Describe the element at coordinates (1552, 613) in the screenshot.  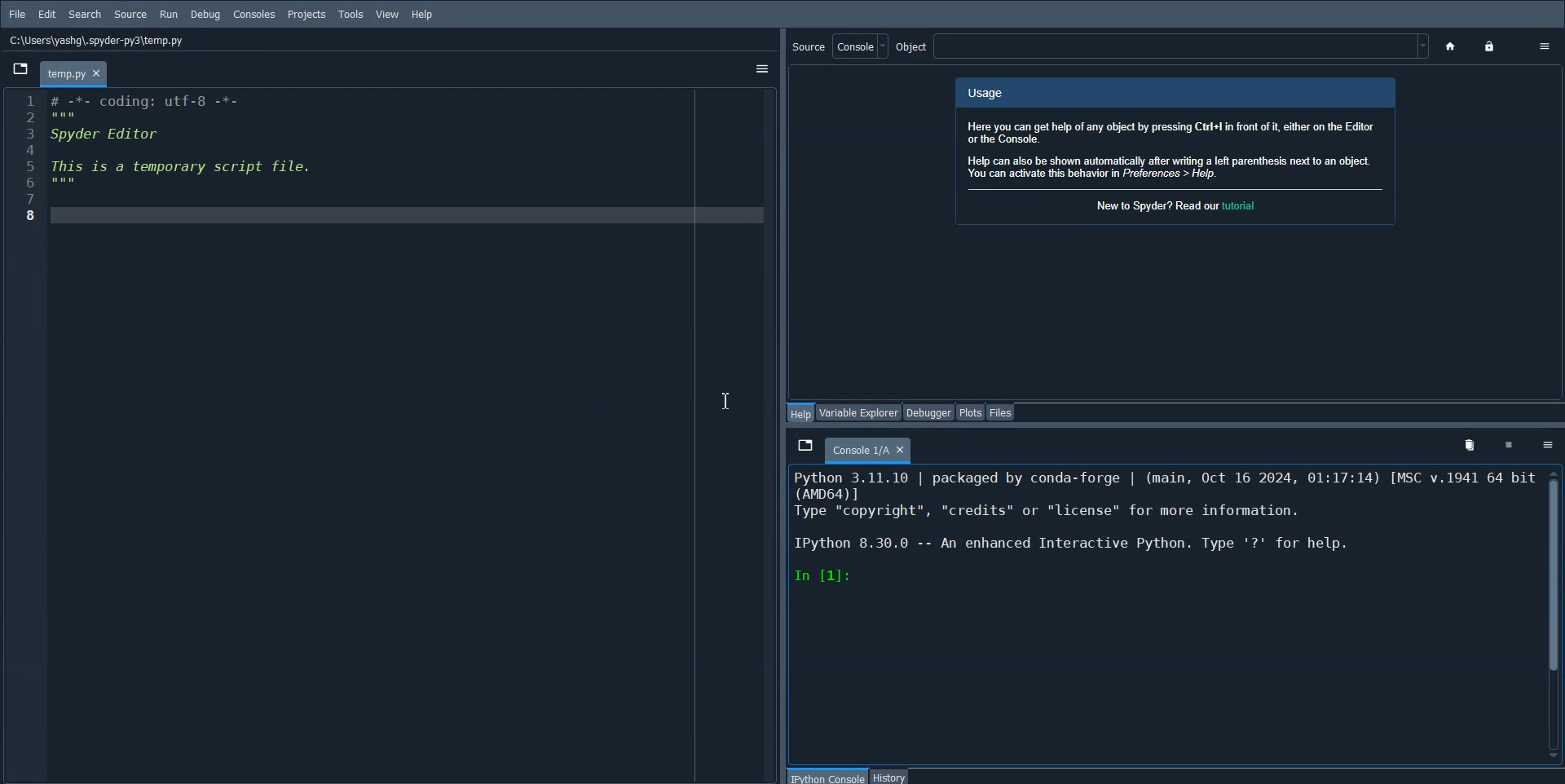
I see `Vertical scroll bar` at that location.